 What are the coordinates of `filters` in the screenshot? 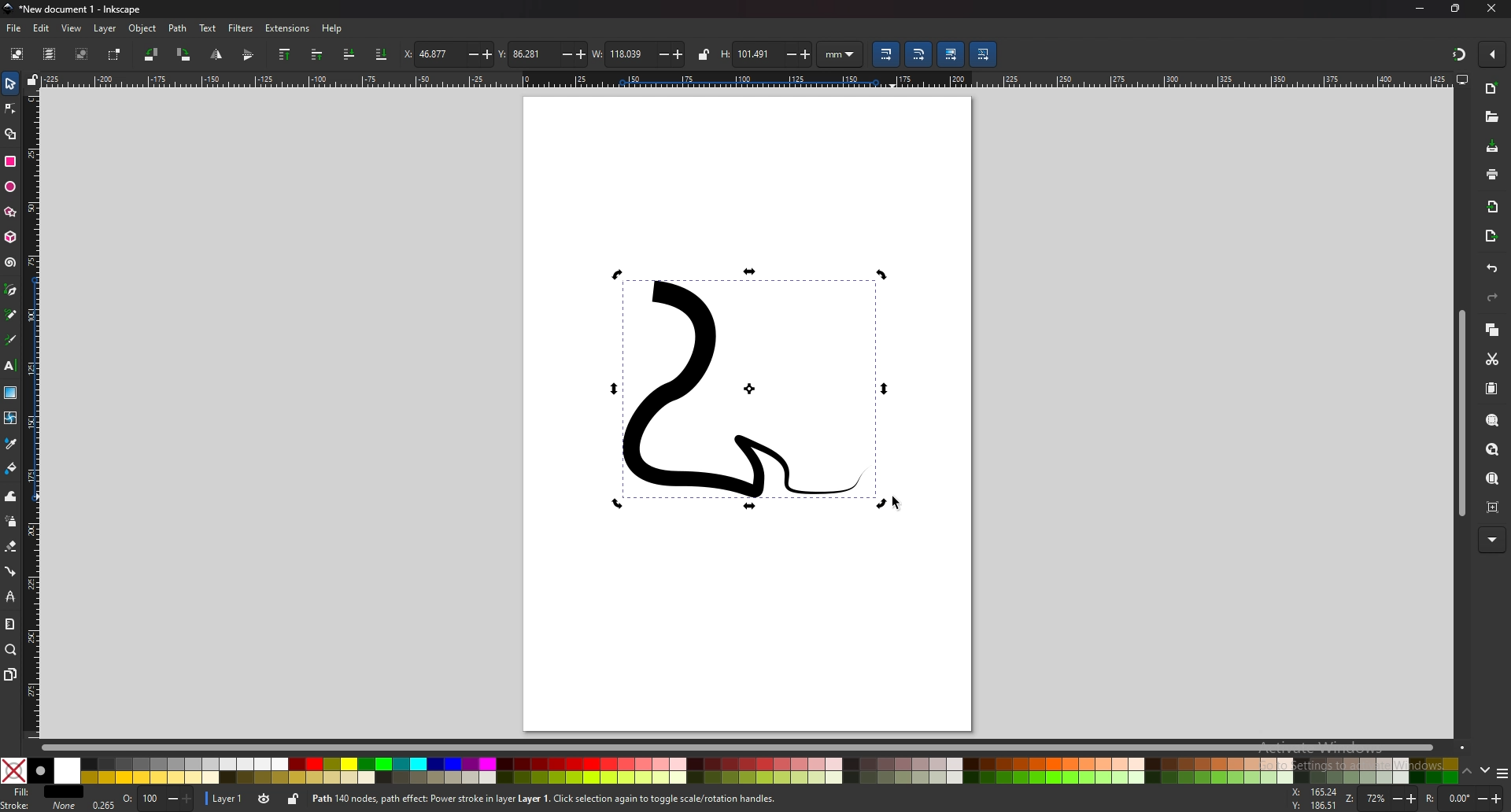 It's located at (241, 28).